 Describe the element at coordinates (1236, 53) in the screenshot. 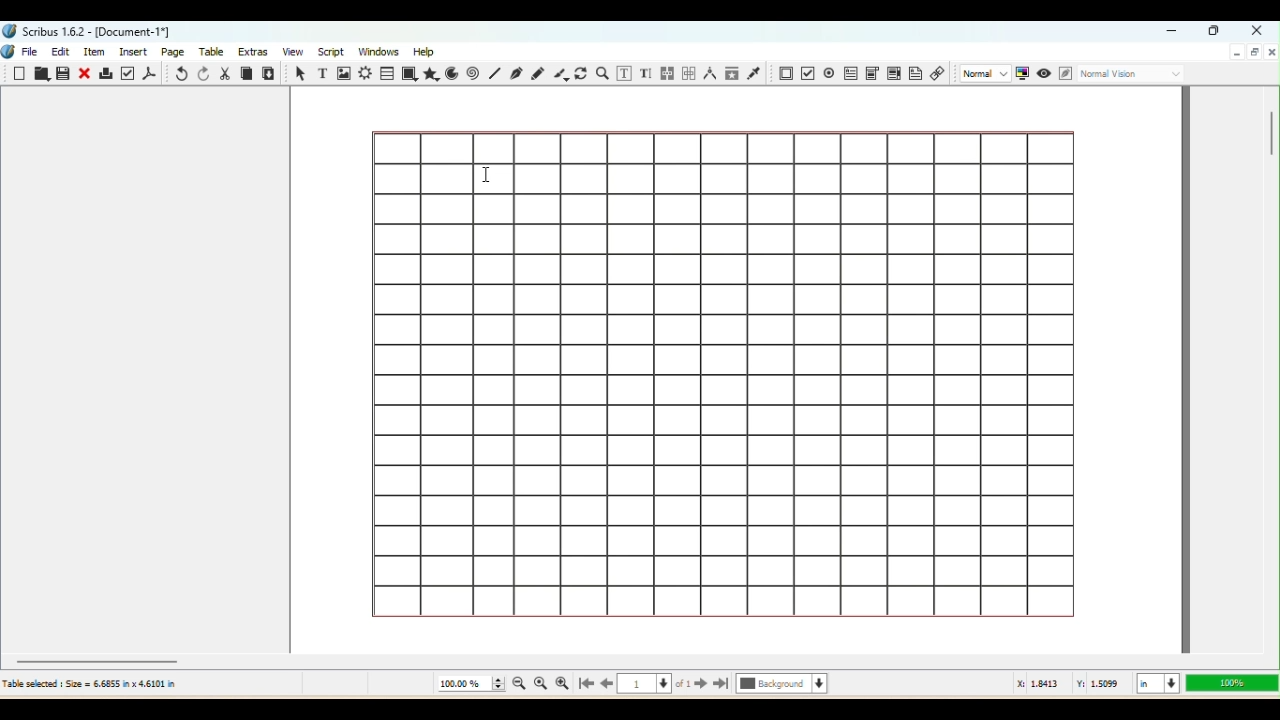

I see `Minimize` at that location.